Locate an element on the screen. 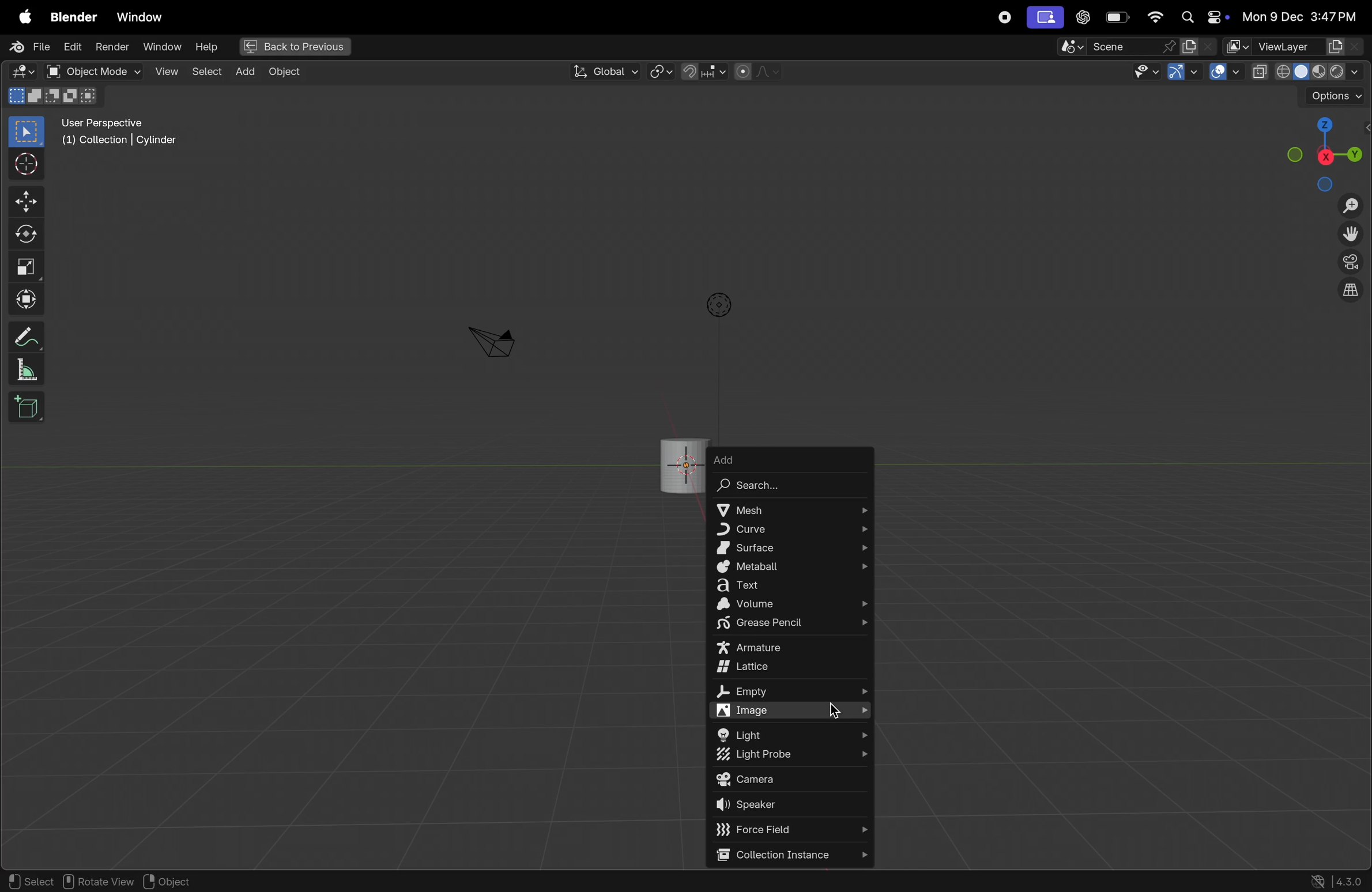 The image size is (1372, 892). perspective is located at coordinates (1351, 264).